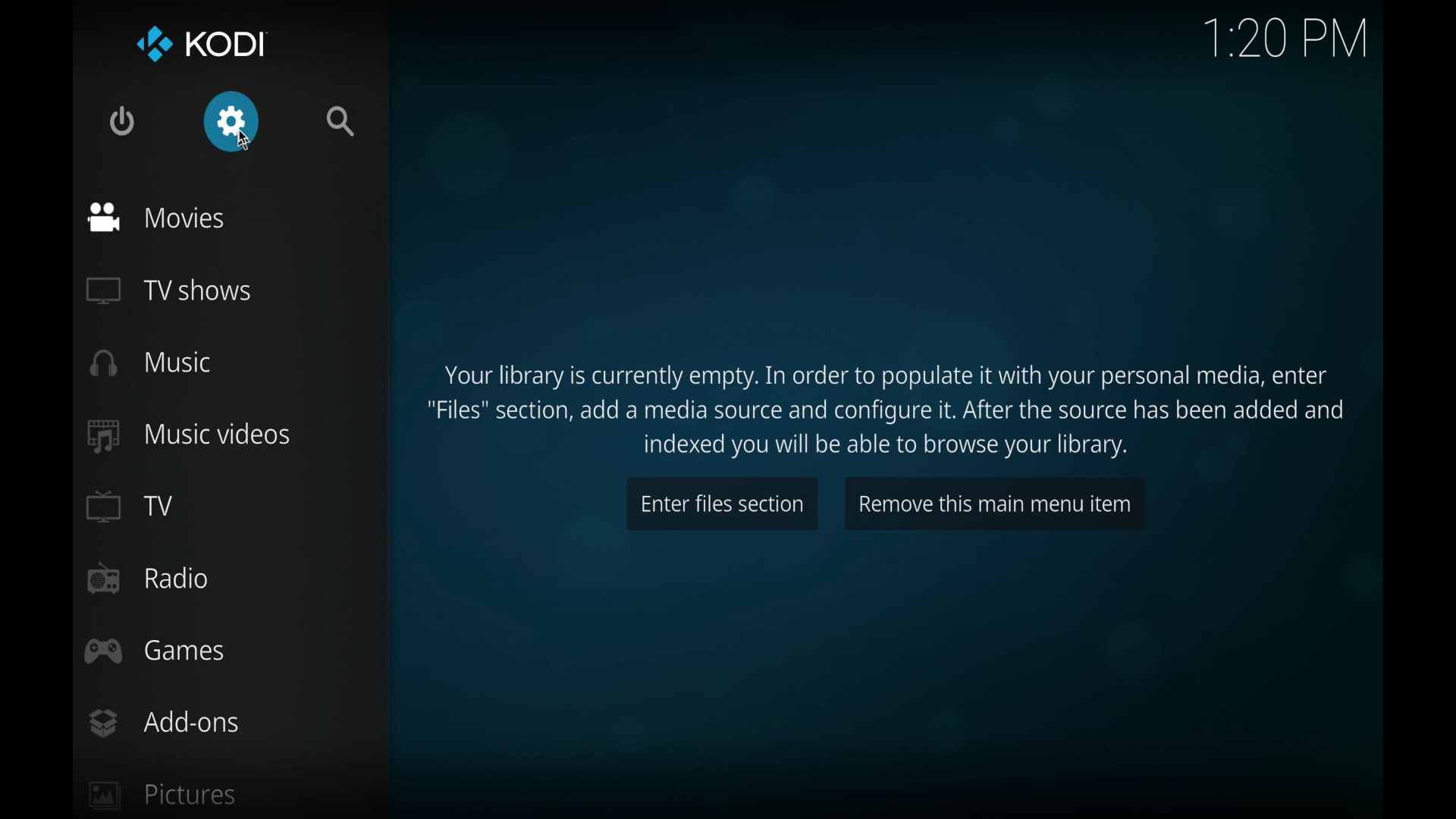 Image resolution: width=1456 pixels, height=819 pixels. I want to click on cursor, so click(245, 140).